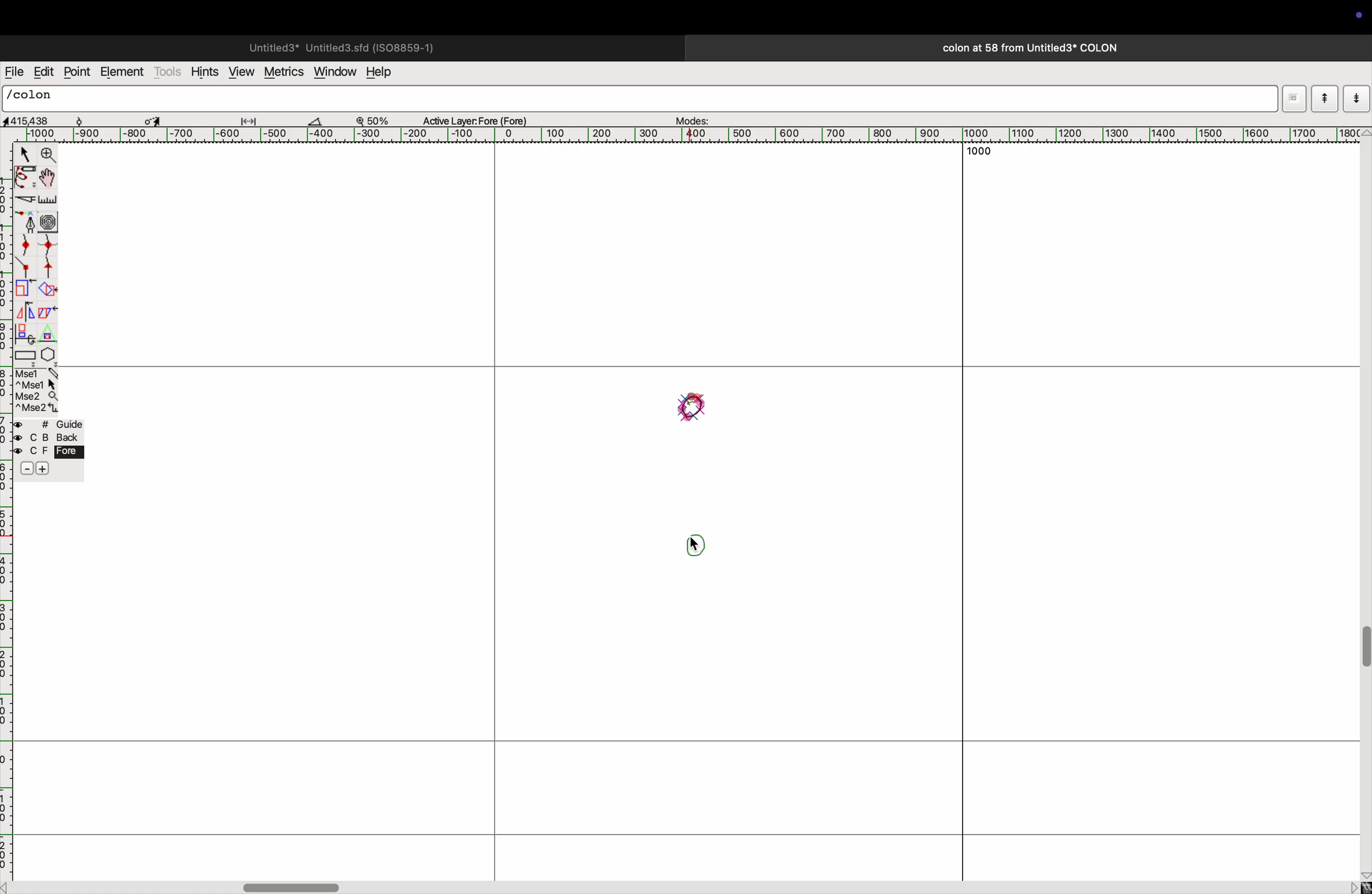 This screenshot has width=1372, height=894. I want to click on tools, so click(168, 72).